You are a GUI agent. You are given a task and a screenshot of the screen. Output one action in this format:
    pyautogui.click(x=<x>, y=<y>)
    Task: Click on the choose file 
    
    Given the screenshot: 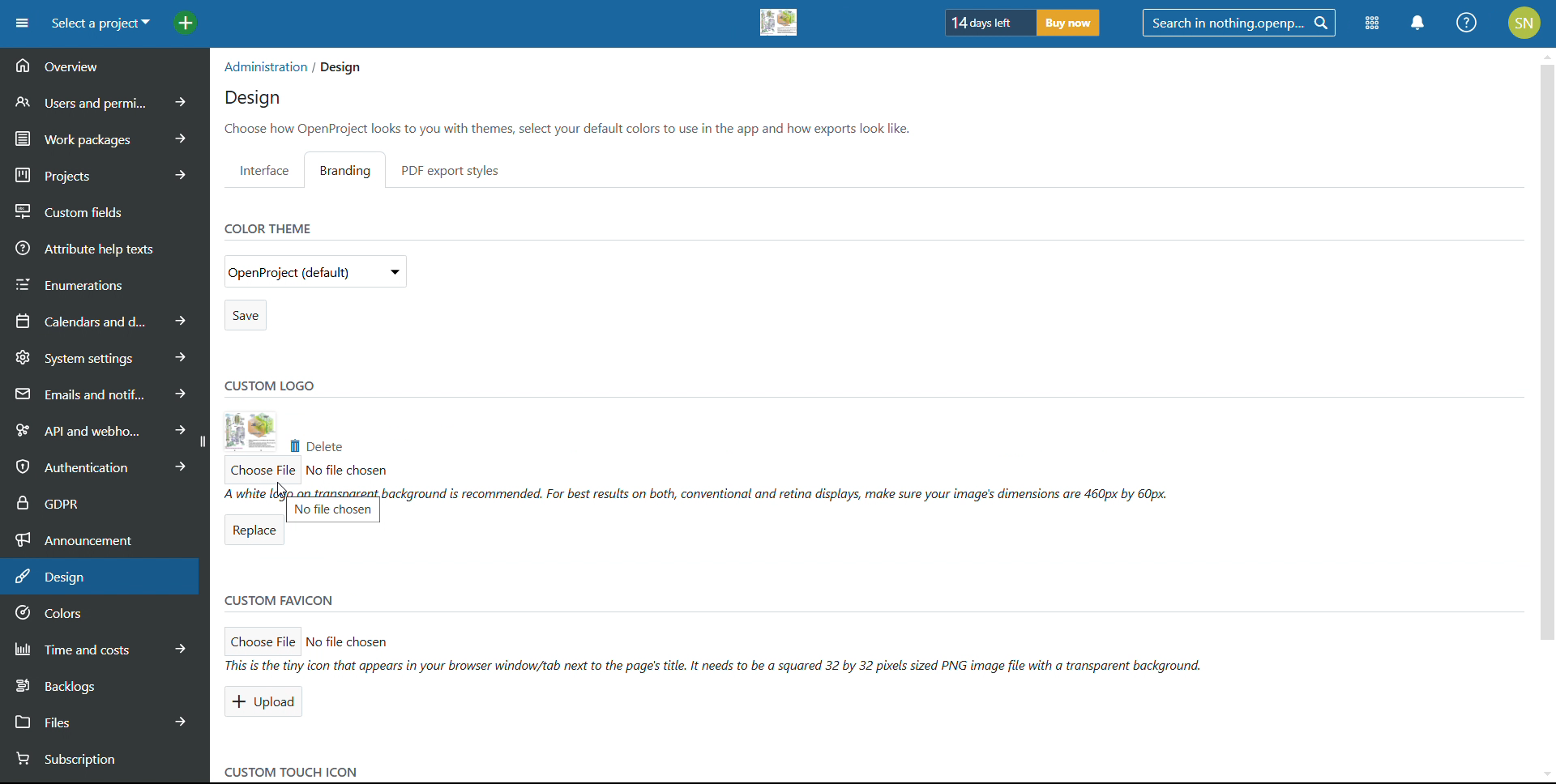 What is the action you would take?
    pyautogui.click(x=263, y=637)
    